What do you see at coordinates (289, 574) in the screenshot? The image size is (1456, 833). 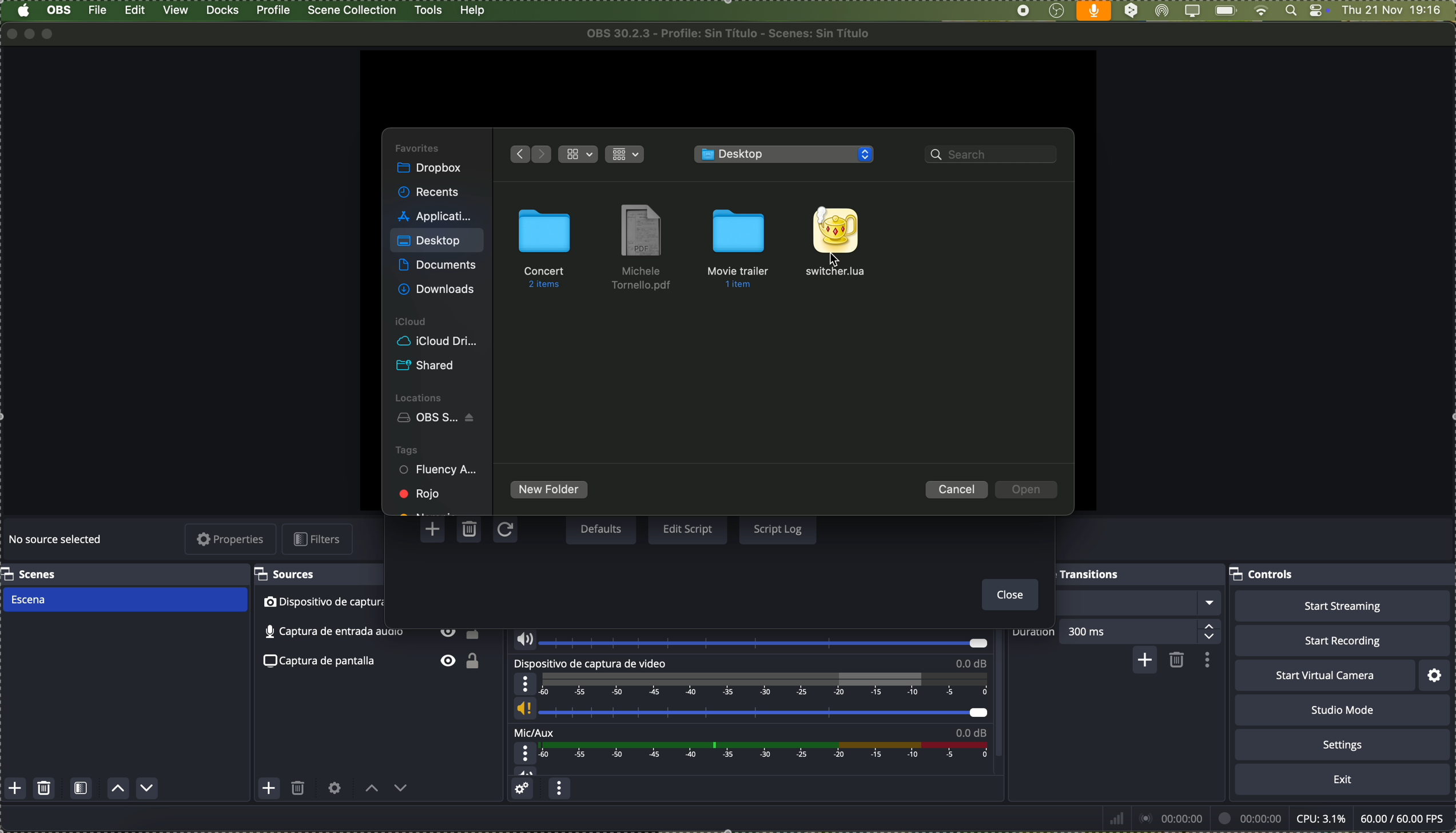 I see `sources` at bounding box center [289, 574].